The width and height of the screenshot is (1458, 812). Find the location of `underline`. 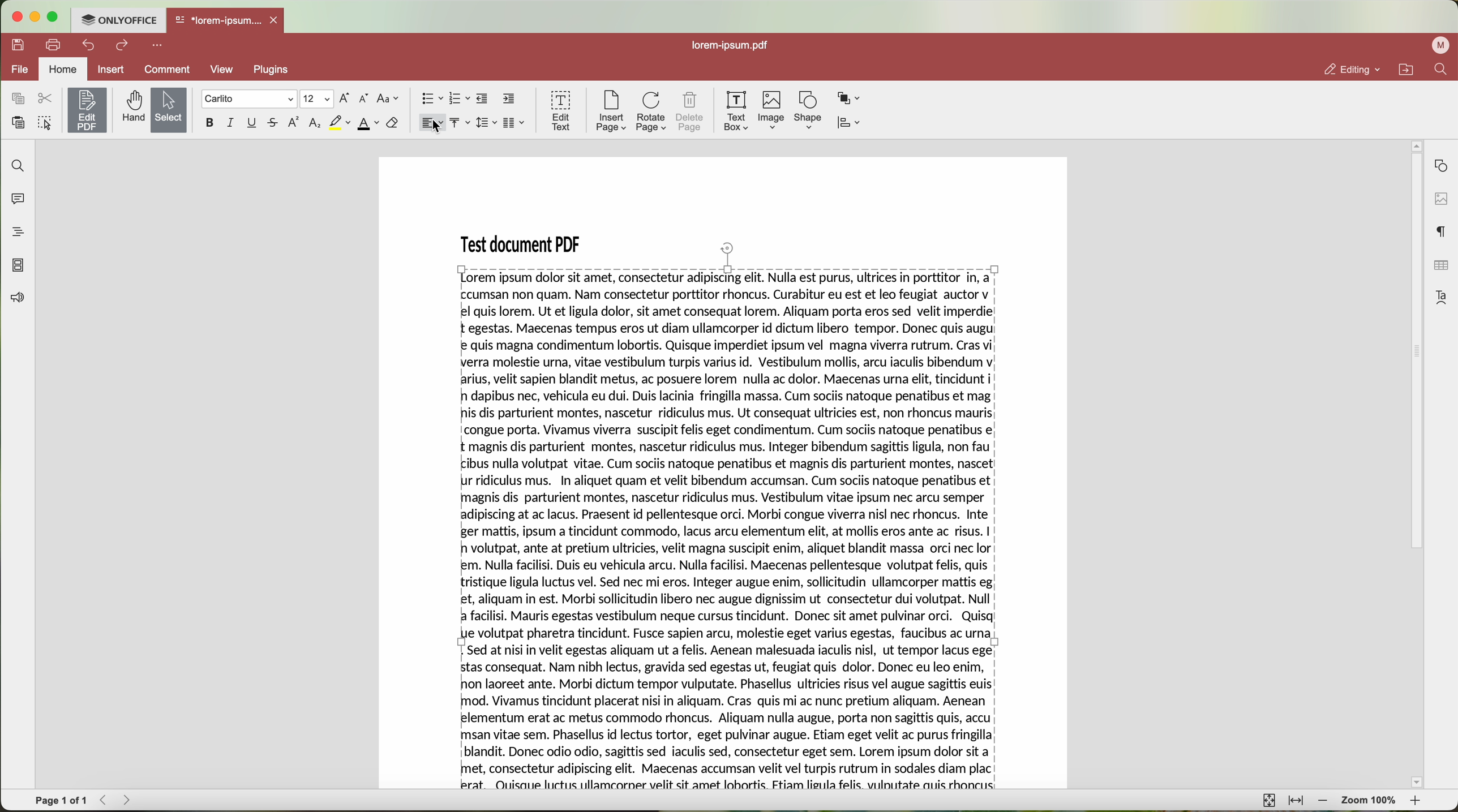

underline is located at coordinates (254, 123).